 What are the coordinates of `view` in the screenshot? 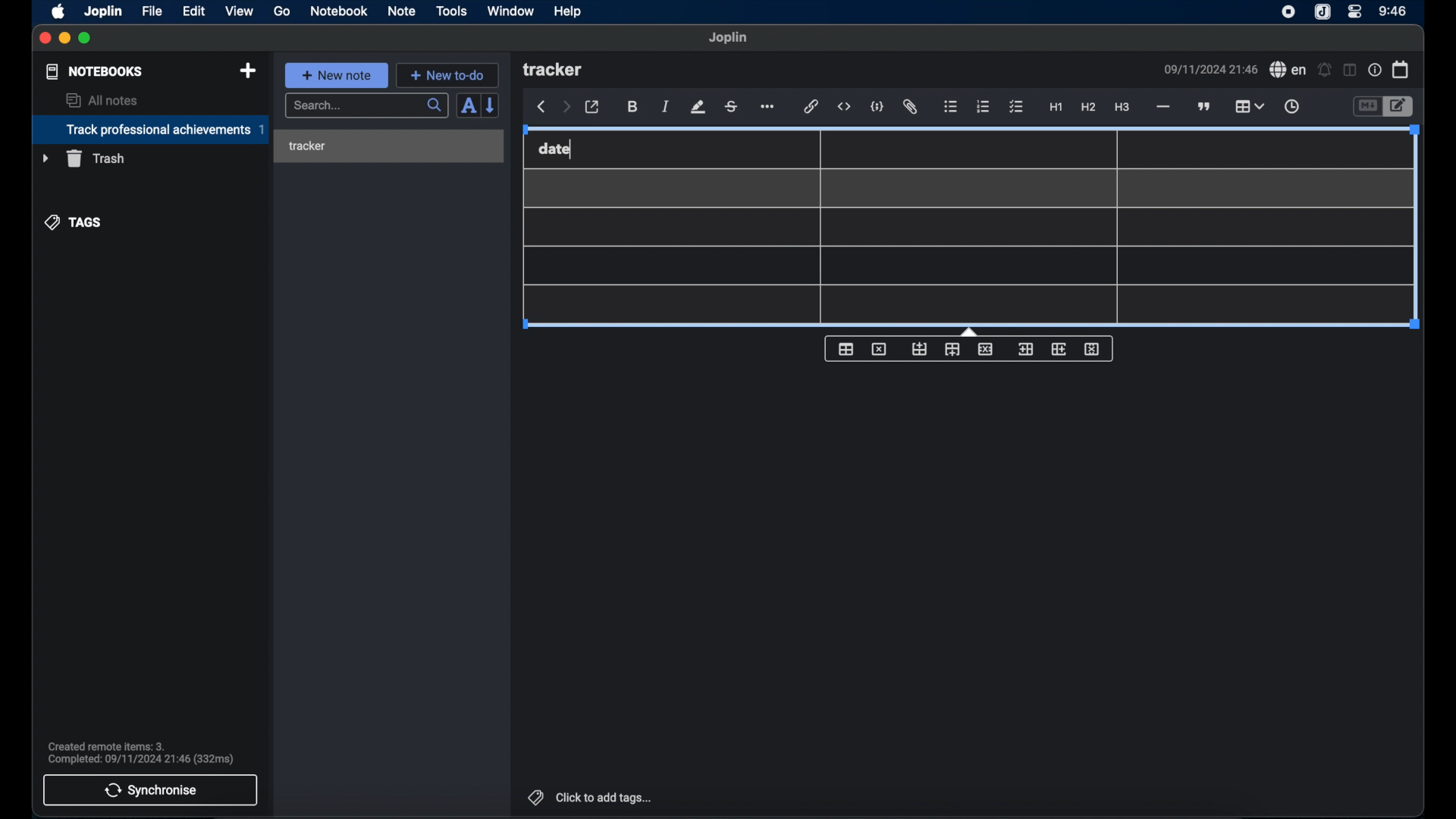 It's located at (239, 11).